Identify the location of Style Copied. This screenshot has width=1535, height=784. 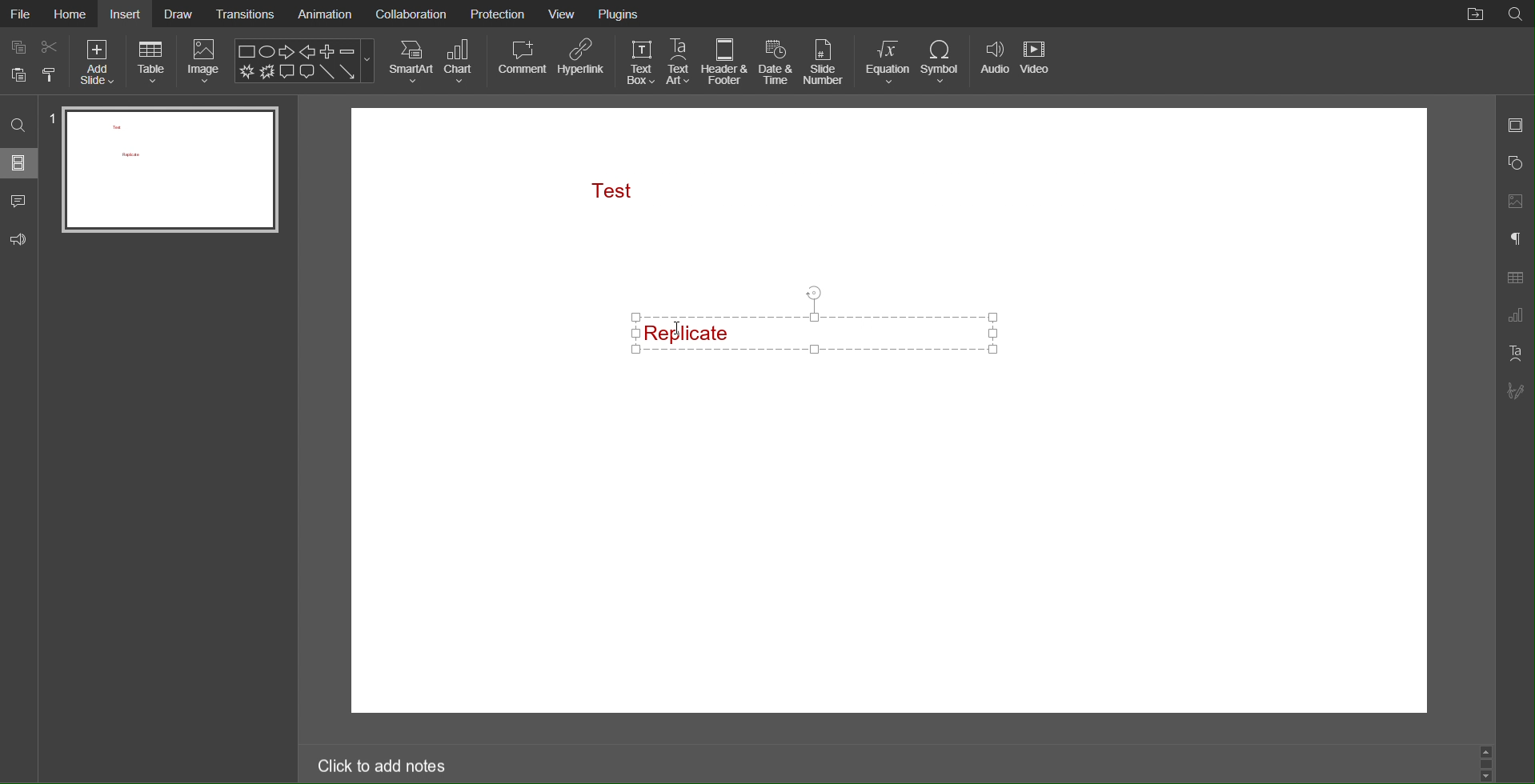
(821, 331).